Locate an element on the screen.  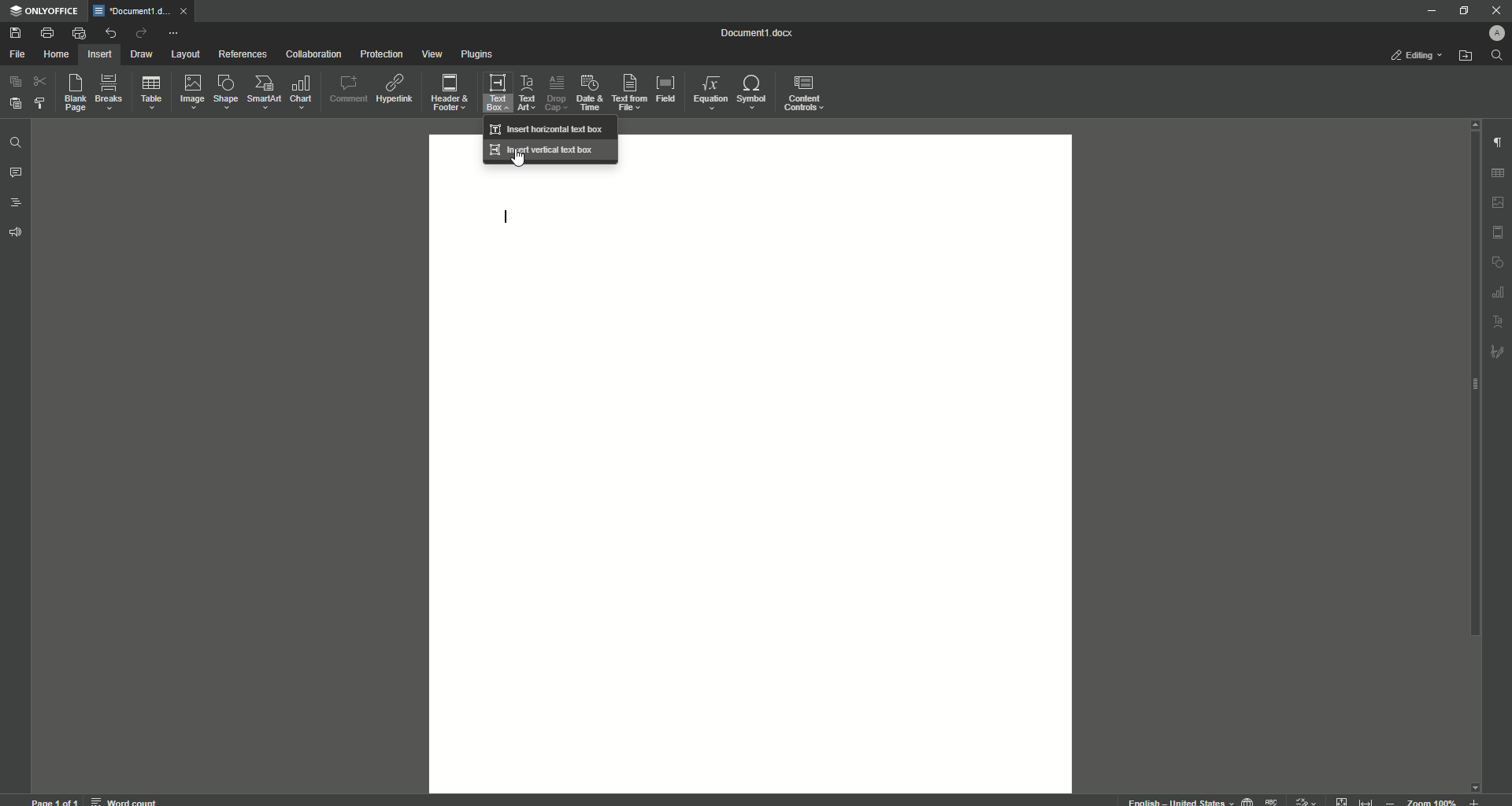
Field is located at coordinates (665, 87).